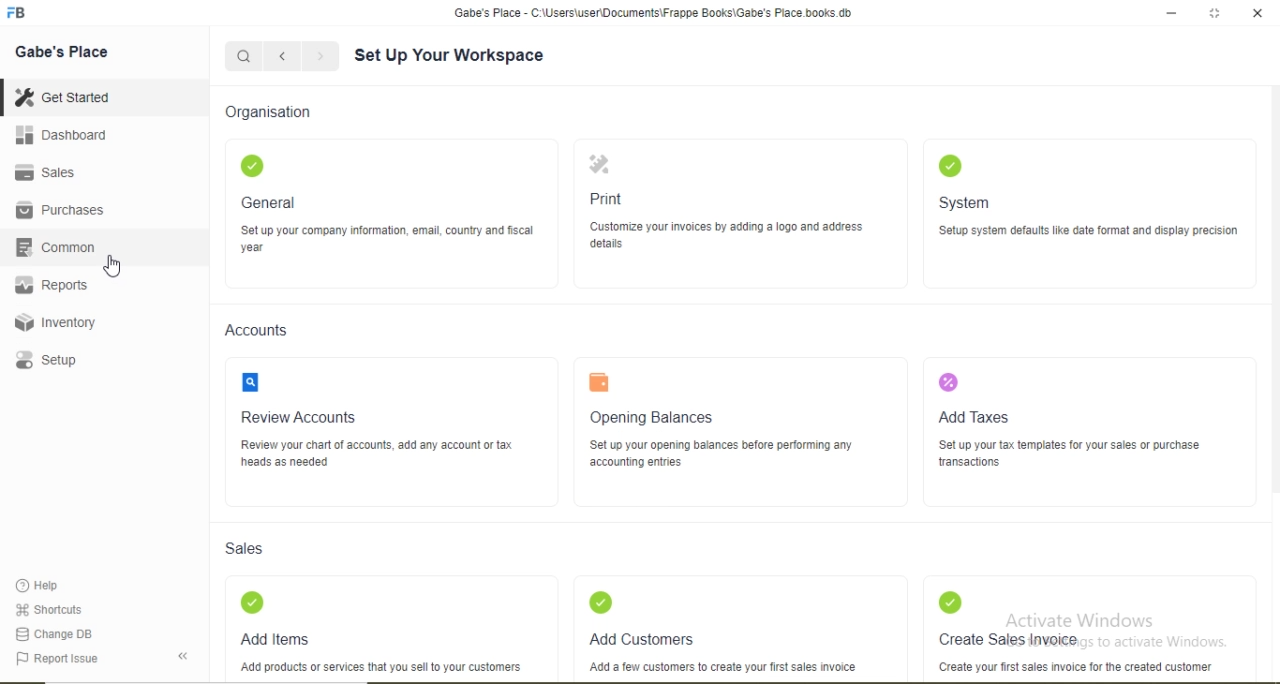 This screenshot has width=1280, height=684. Describe the element at coordinates (1259, 13) in the screenshot. I see `close` at that location.